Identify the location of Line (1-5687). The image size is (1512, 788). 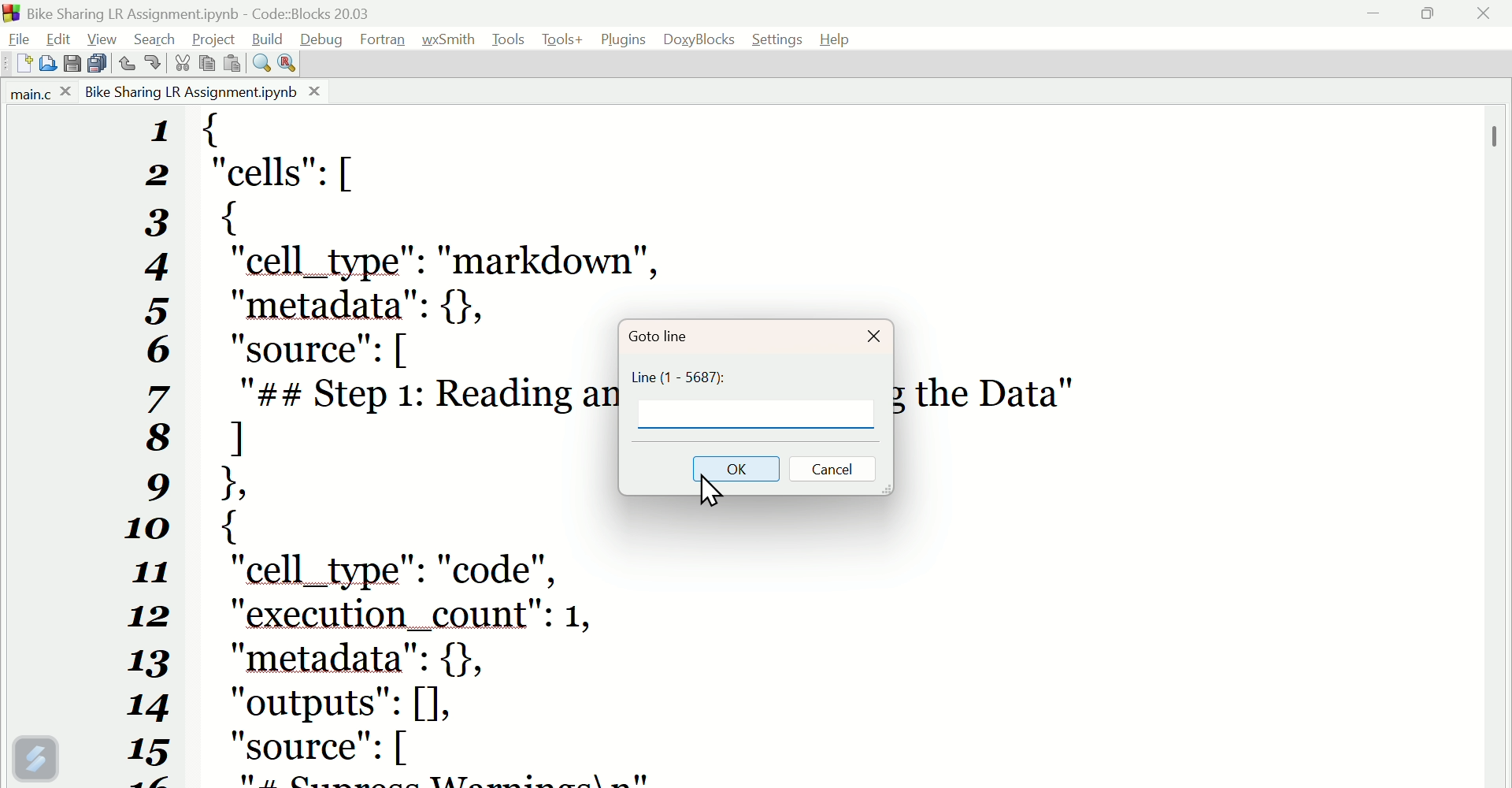
(692, 377).